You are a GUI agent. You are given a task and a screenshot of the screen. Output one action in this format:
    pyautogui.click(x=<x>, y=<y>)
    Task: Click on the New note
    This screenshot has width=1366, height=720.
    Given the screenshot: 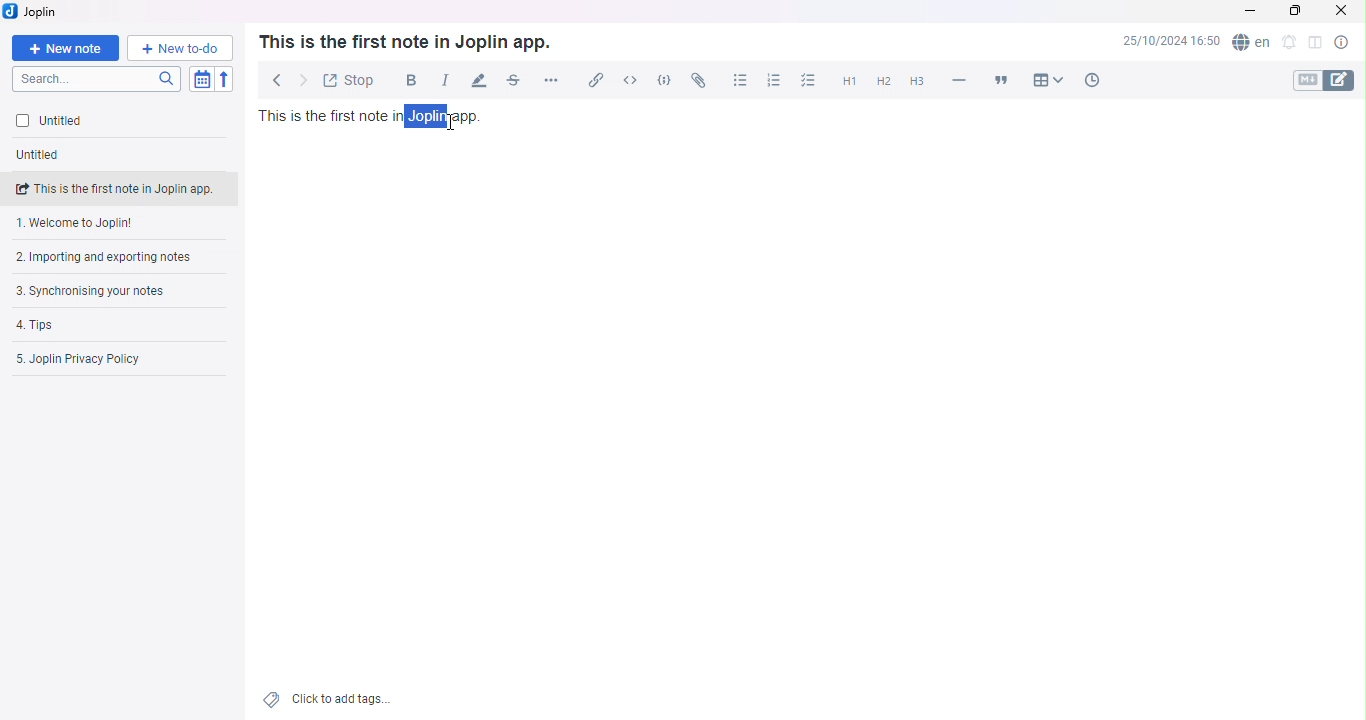 What is the action you would take?
    pyautogui.click(x=67, y=47)
    